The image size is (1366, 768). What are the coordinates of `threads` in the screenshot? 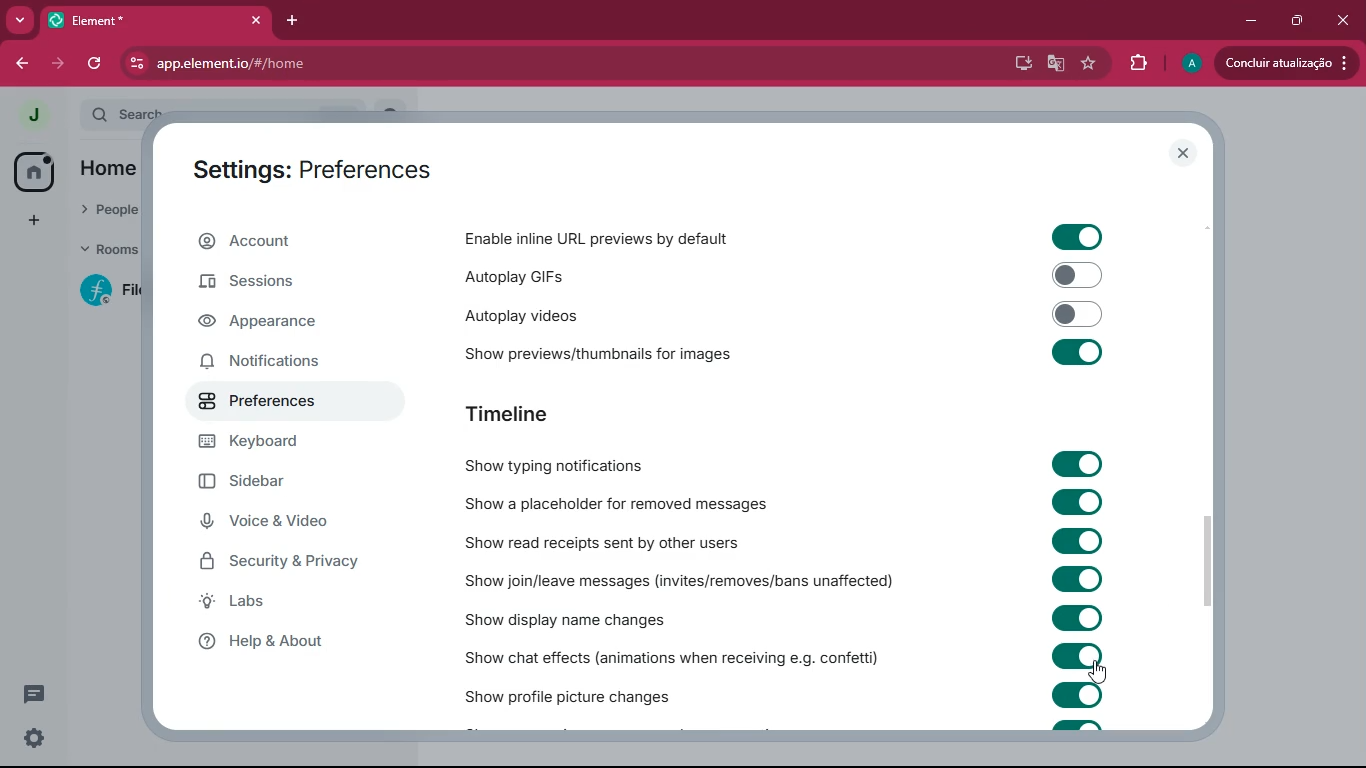 It's located at (32, 695).